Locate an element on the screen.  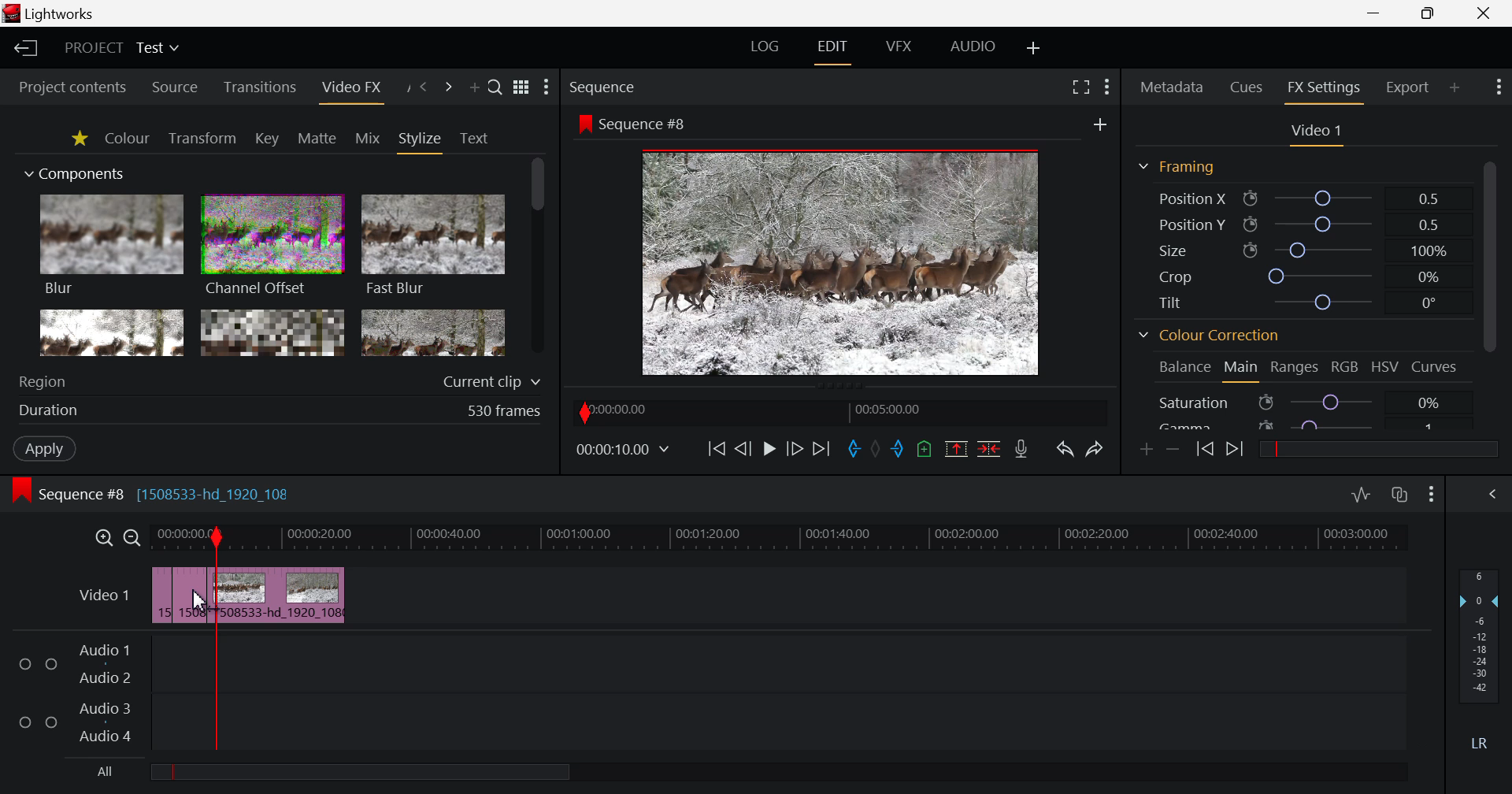
Glow is located at coordinates (113, 333).